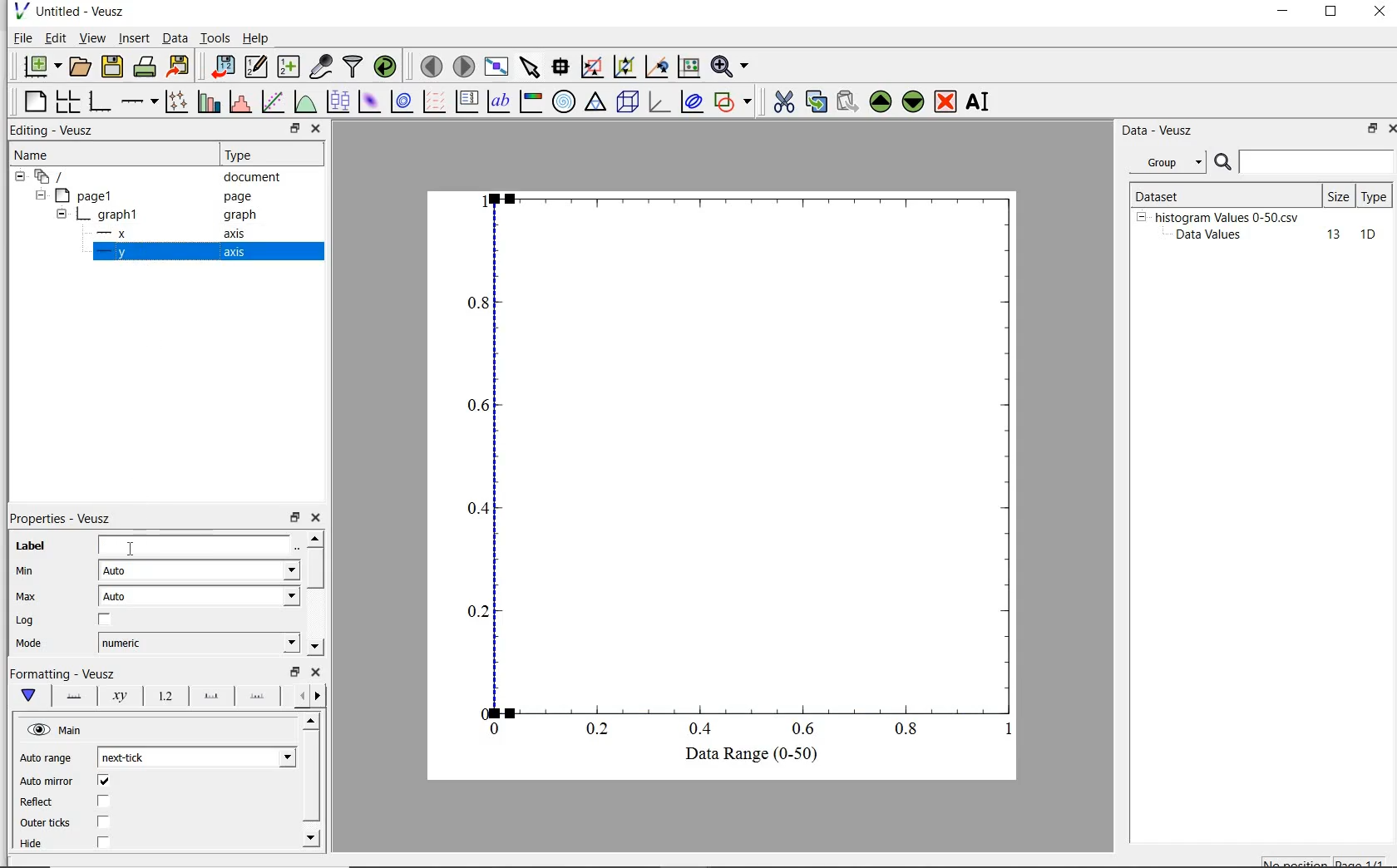 Image resolution: width=1397 pixels, height=868 pixels. Describe the element at coordinates (56, 37) in the screenshot. I see `edit` at that location.